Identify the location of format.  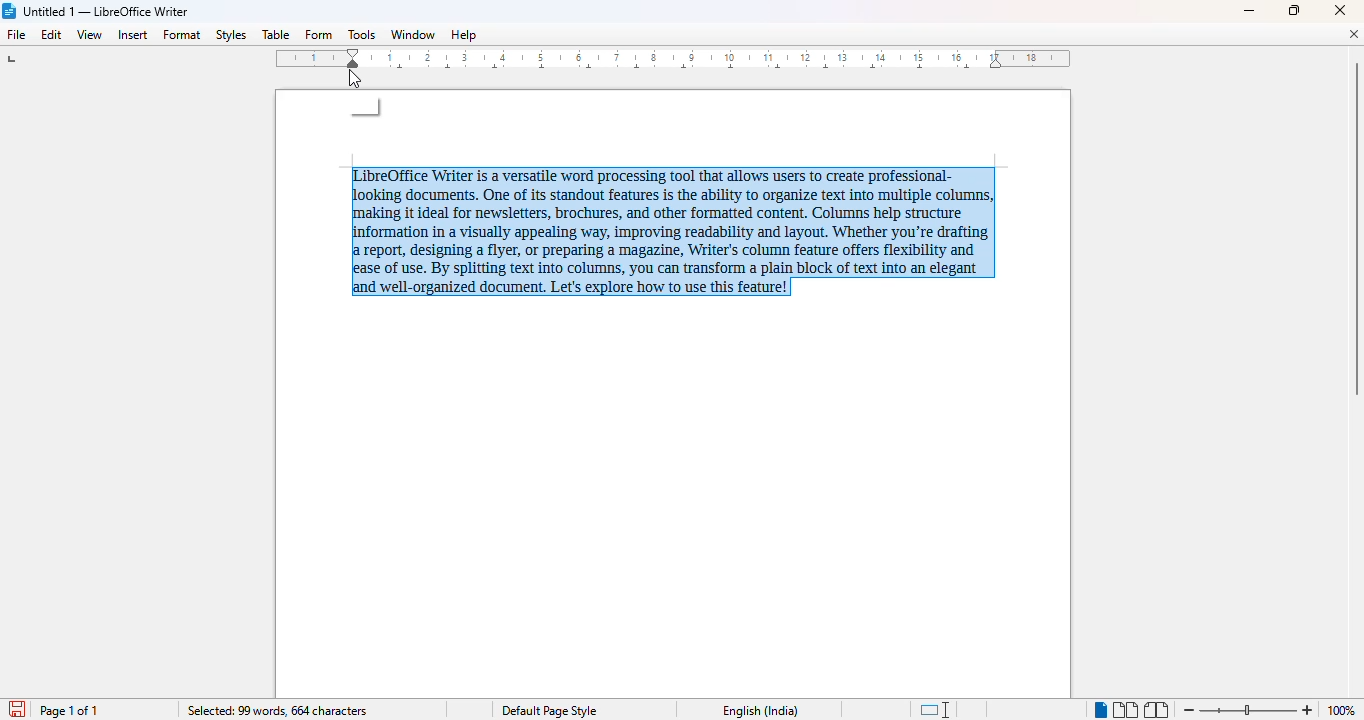
(183, 35).